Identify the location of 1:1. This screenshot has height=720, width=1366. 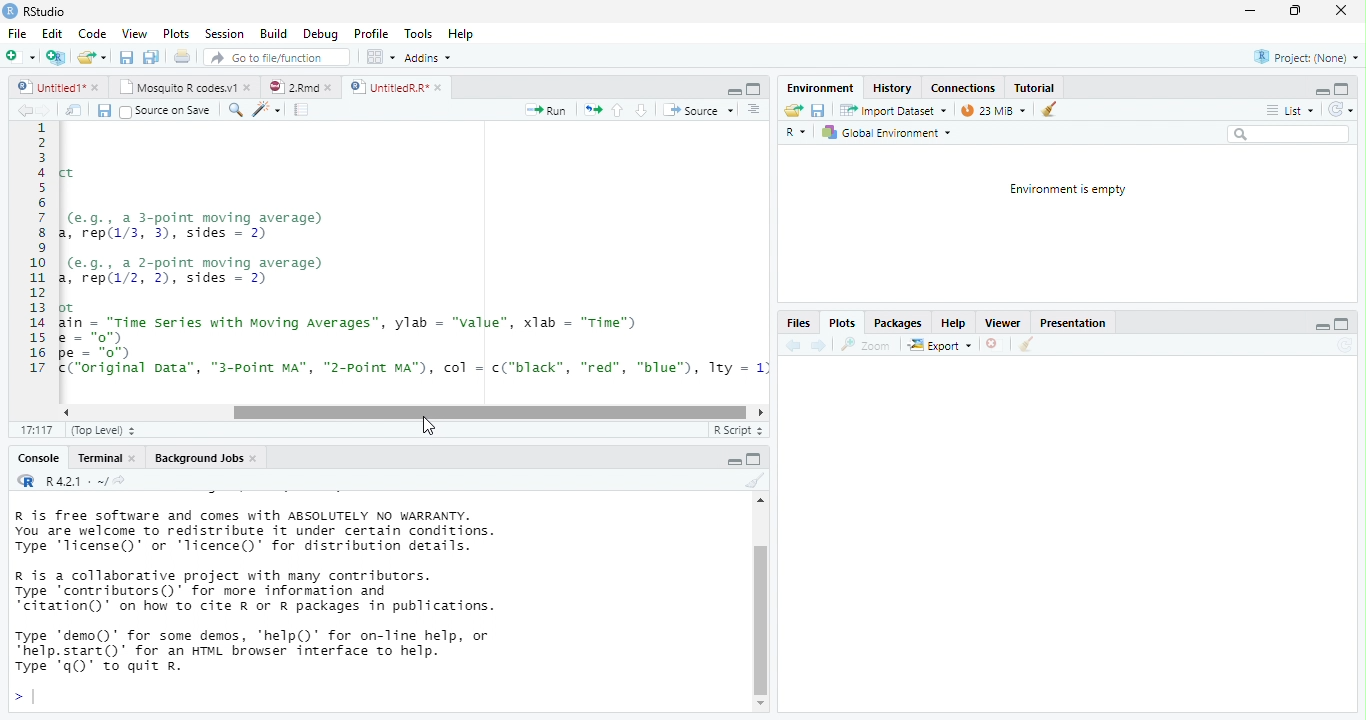
(34, 431).